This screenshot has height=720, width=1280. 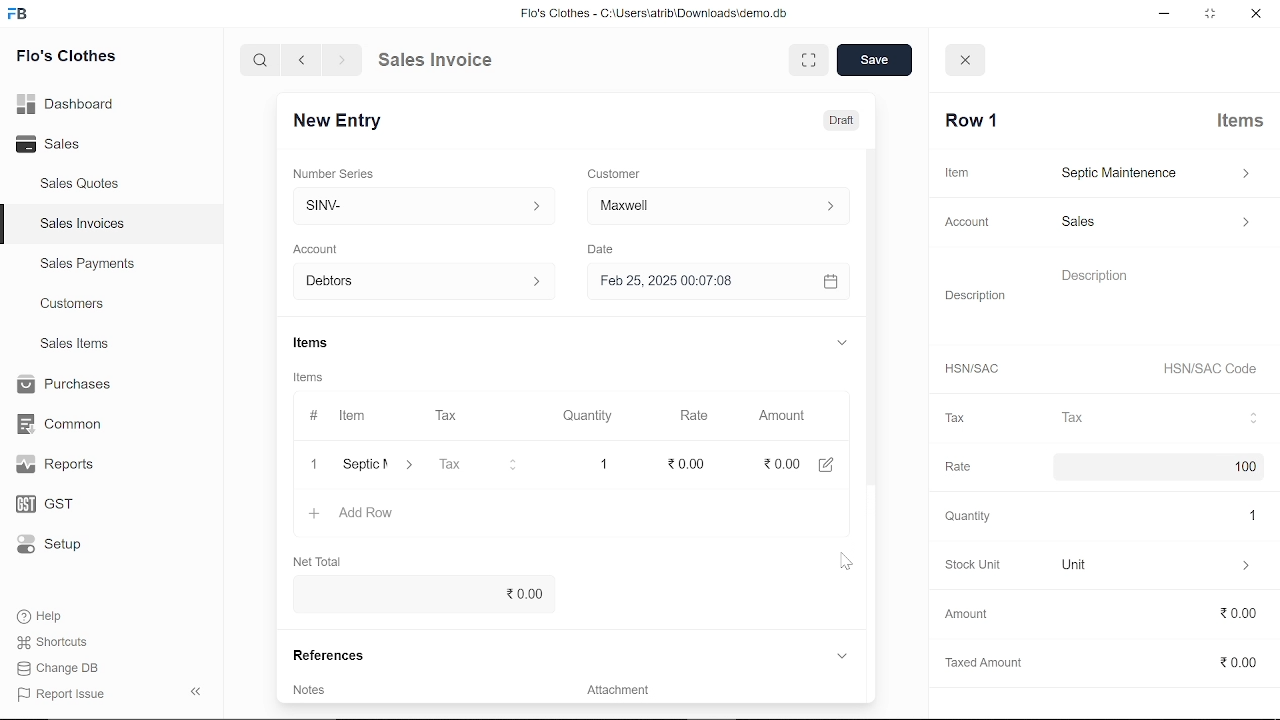 I want to click on Flo's Clothes - G:AUserslatribiDownloadsidemo.do, so click(x=651, y=13).